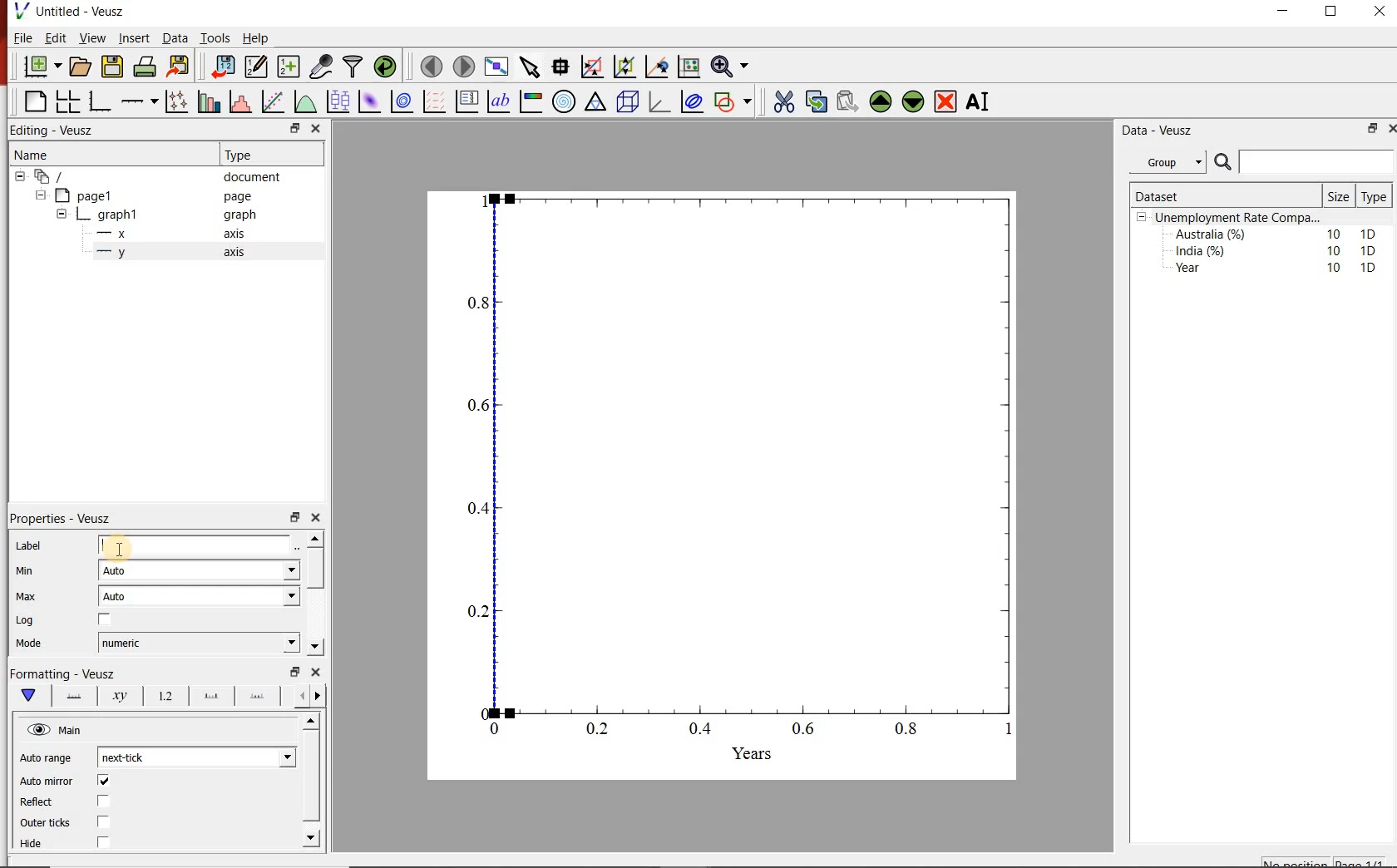 The width and height of the screenshot is (1397, 868). What do you see at coordinates (55, 129) in the screenshot?
I see `Editing - Veusz` at bounding box center [55, 129].